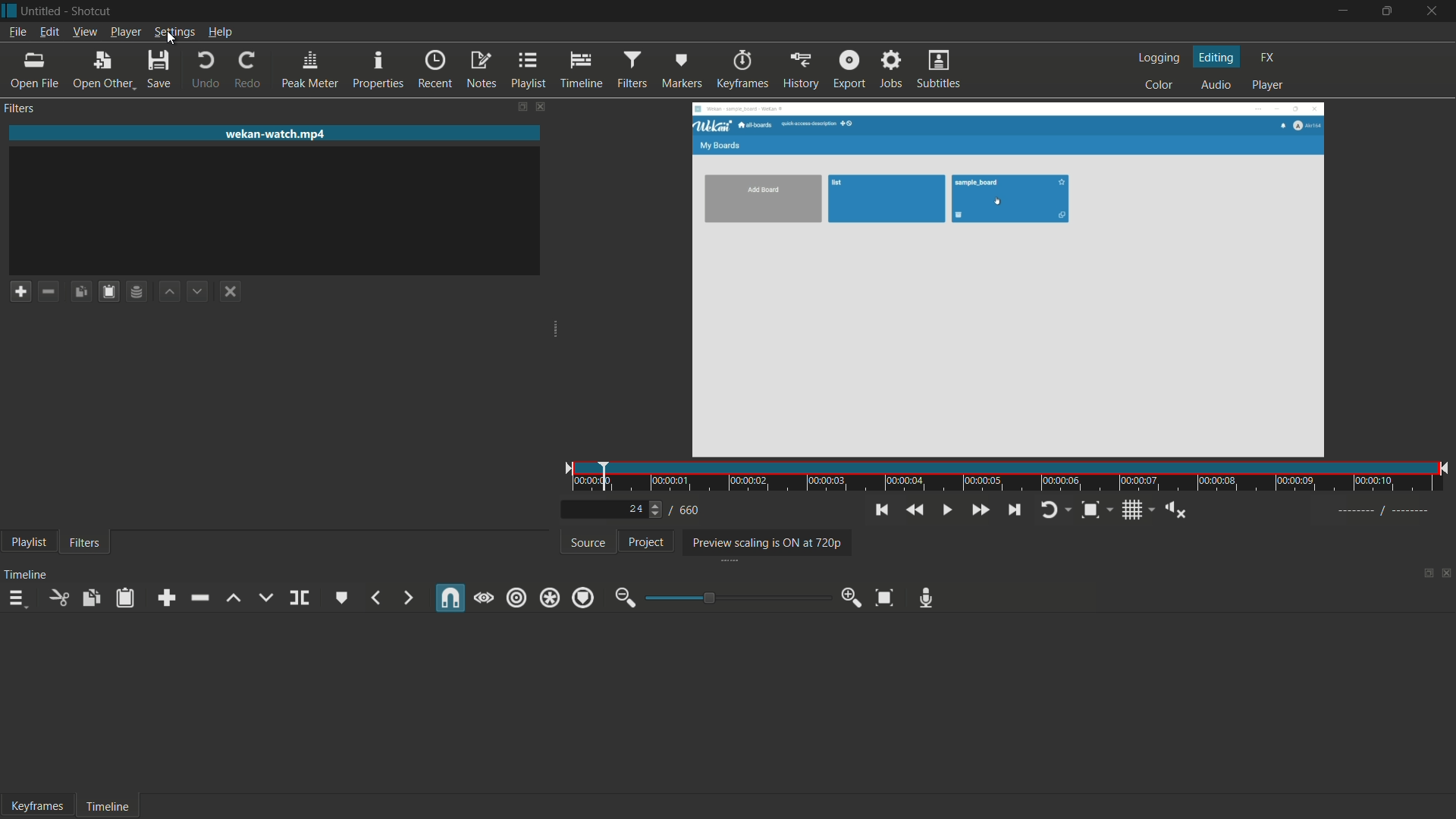 The width and height of the screenshot is (1456, 819). I want to click on export, so click(851, 71).